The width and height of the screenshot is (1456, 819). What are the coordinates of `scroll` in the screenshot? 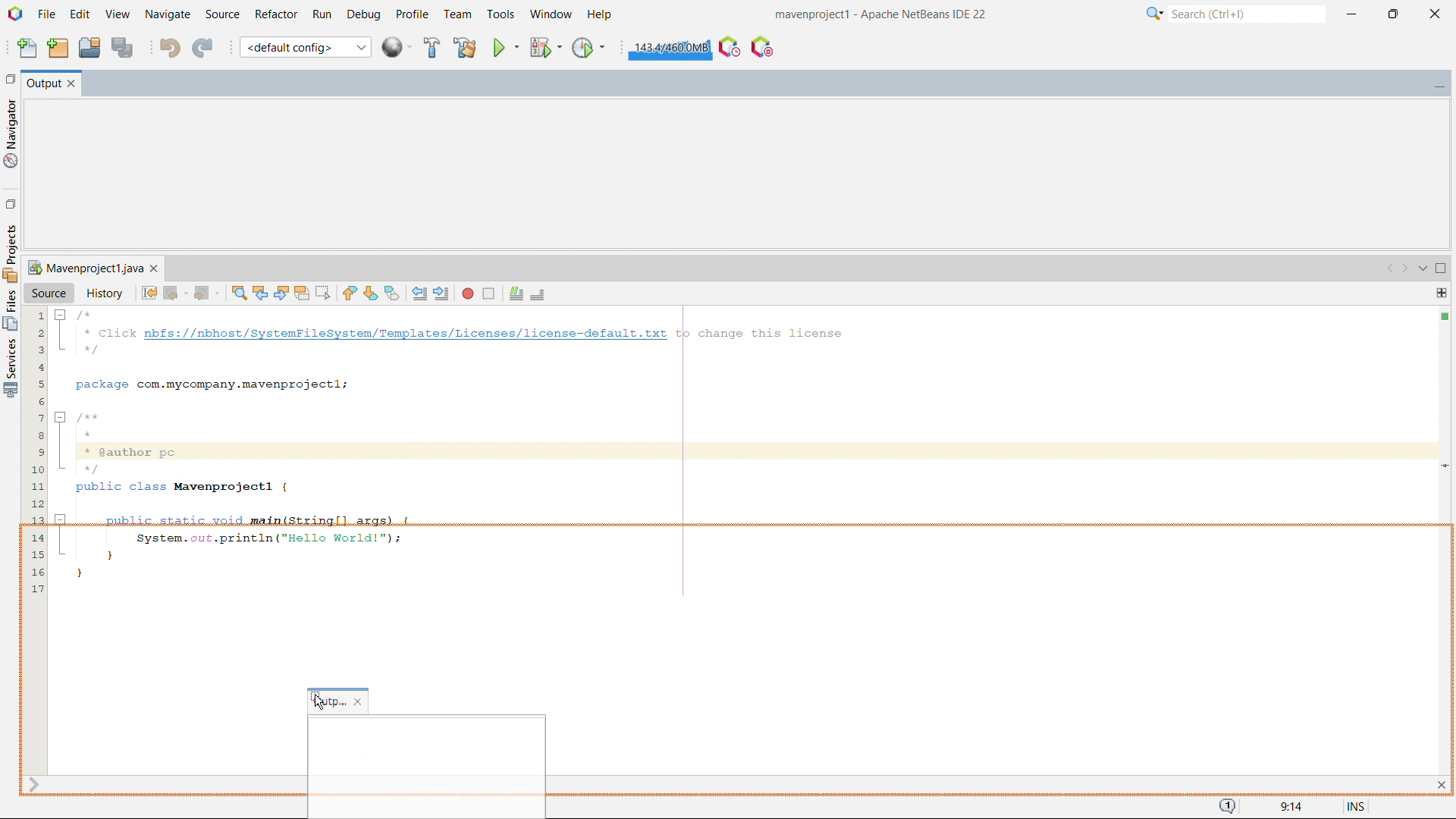 It's located at (33, 785).